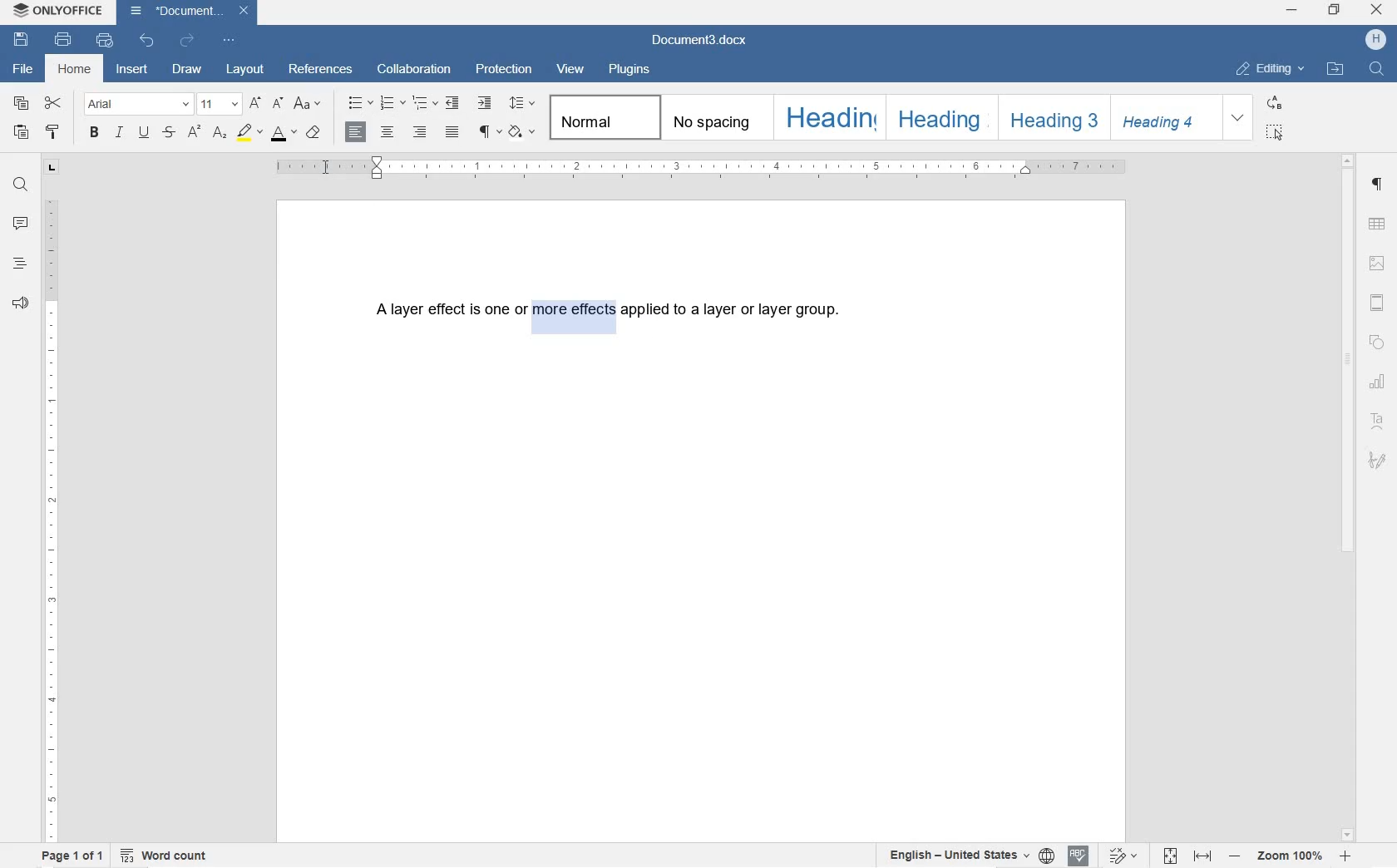  I want to click on SET TEXT OR DOCUMENT LANGUAGE, so click(966, 856).